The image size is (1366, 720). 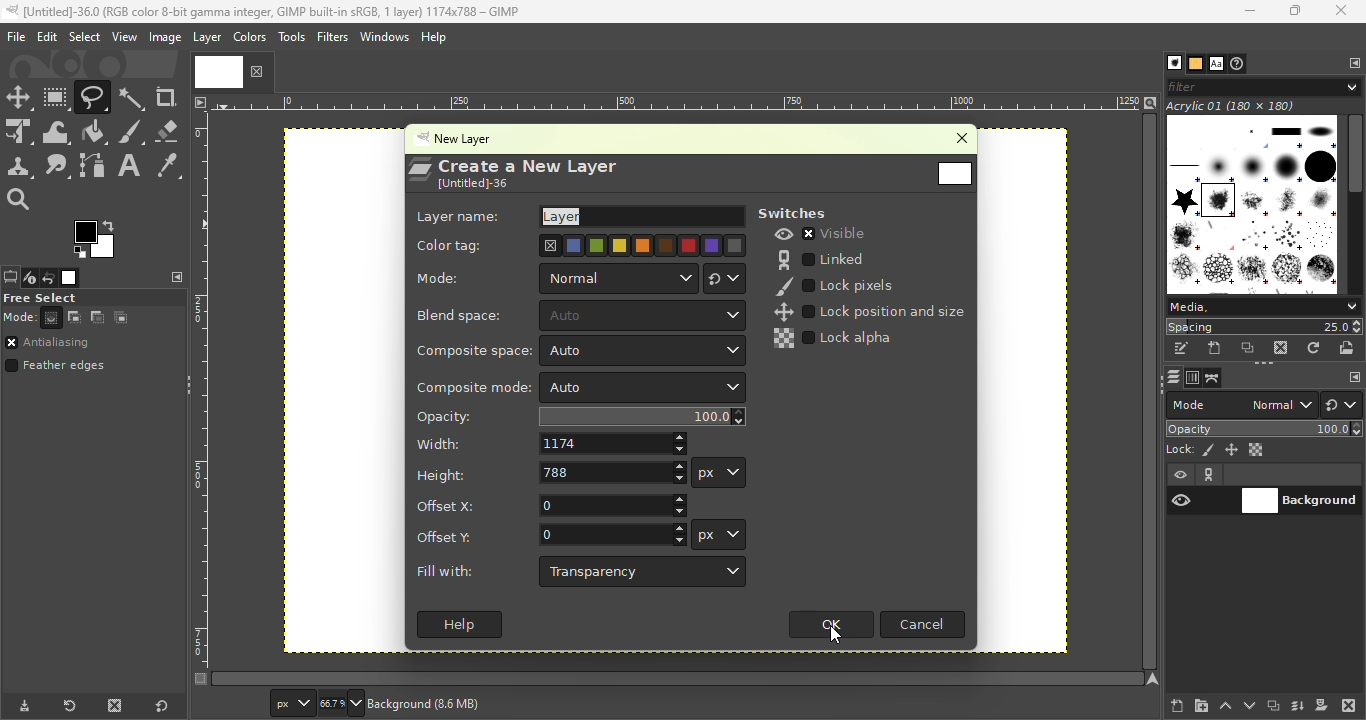 I want to click on Smudge tool, so click(x=60, y=166).